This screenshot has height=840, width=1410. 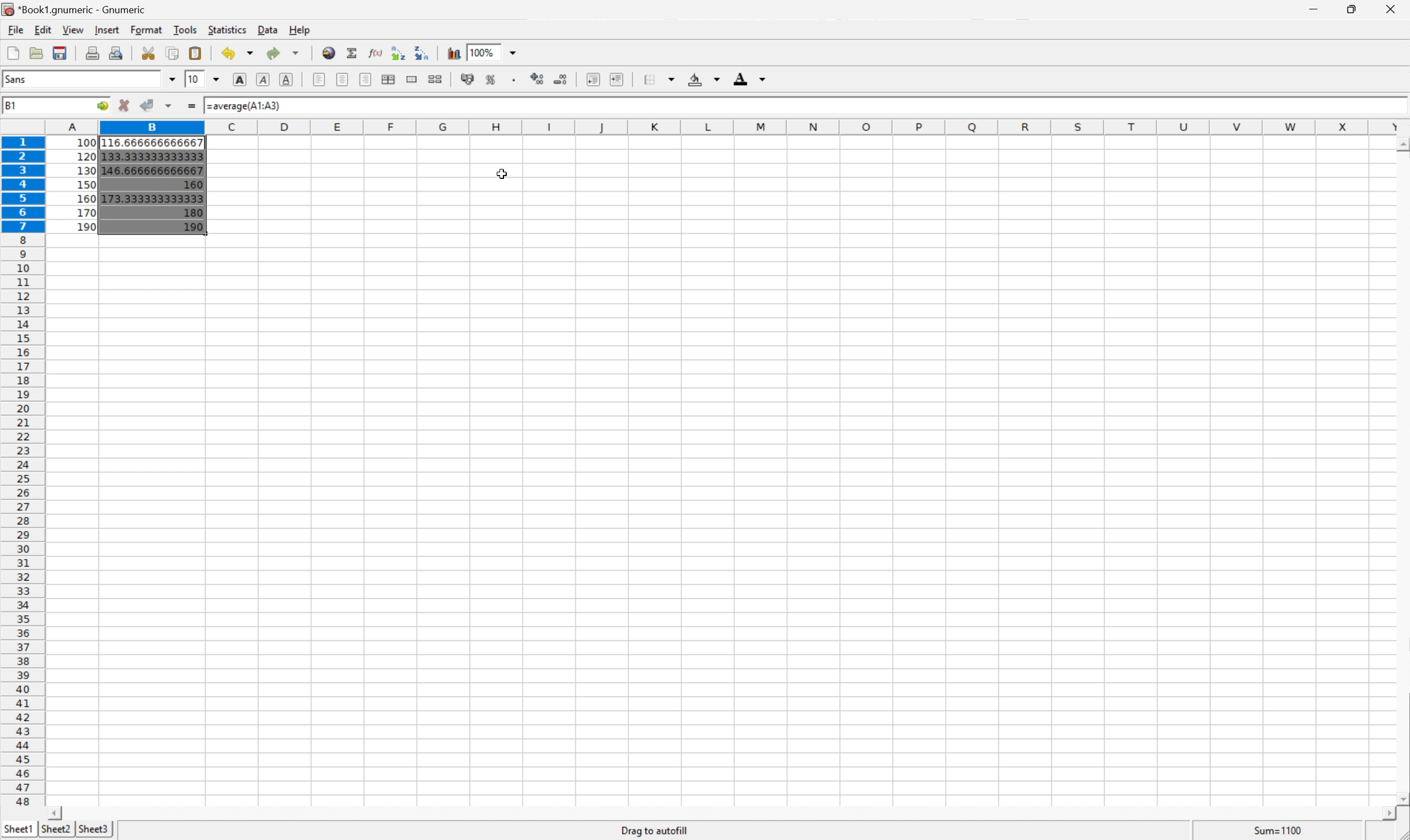 I want to click on Sum=1100, so click(x=1275, y=828).